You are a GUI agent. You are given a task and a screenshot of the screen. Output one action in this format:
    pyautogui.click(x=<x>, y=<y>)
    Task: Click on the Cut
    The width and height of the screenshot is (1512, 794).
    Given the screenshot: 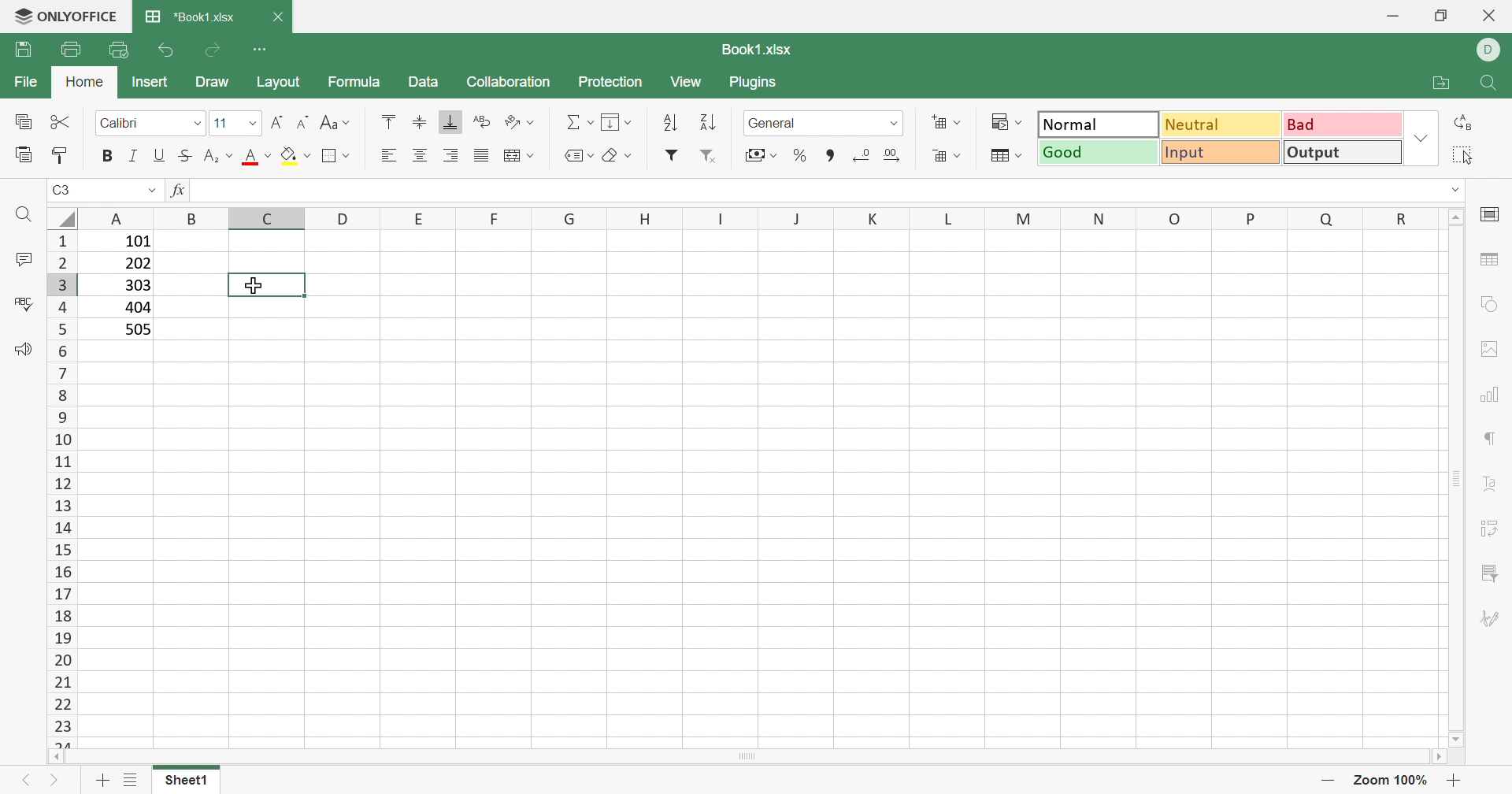 What is the action you would take?
    pyautogui.click(x=62, y=122)
    